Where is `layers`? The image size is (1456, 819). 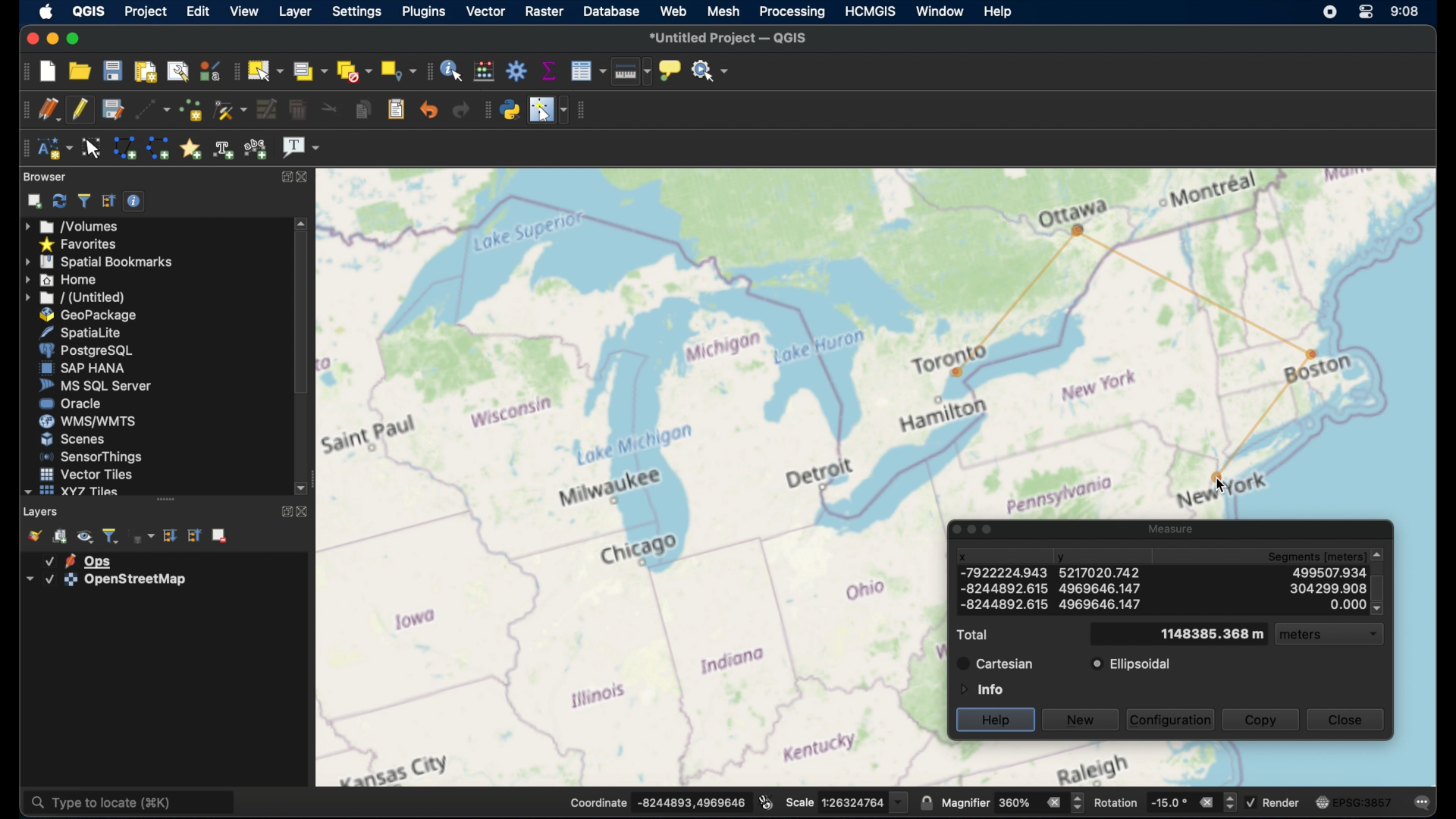
layers is located at coordinates (42, 511).